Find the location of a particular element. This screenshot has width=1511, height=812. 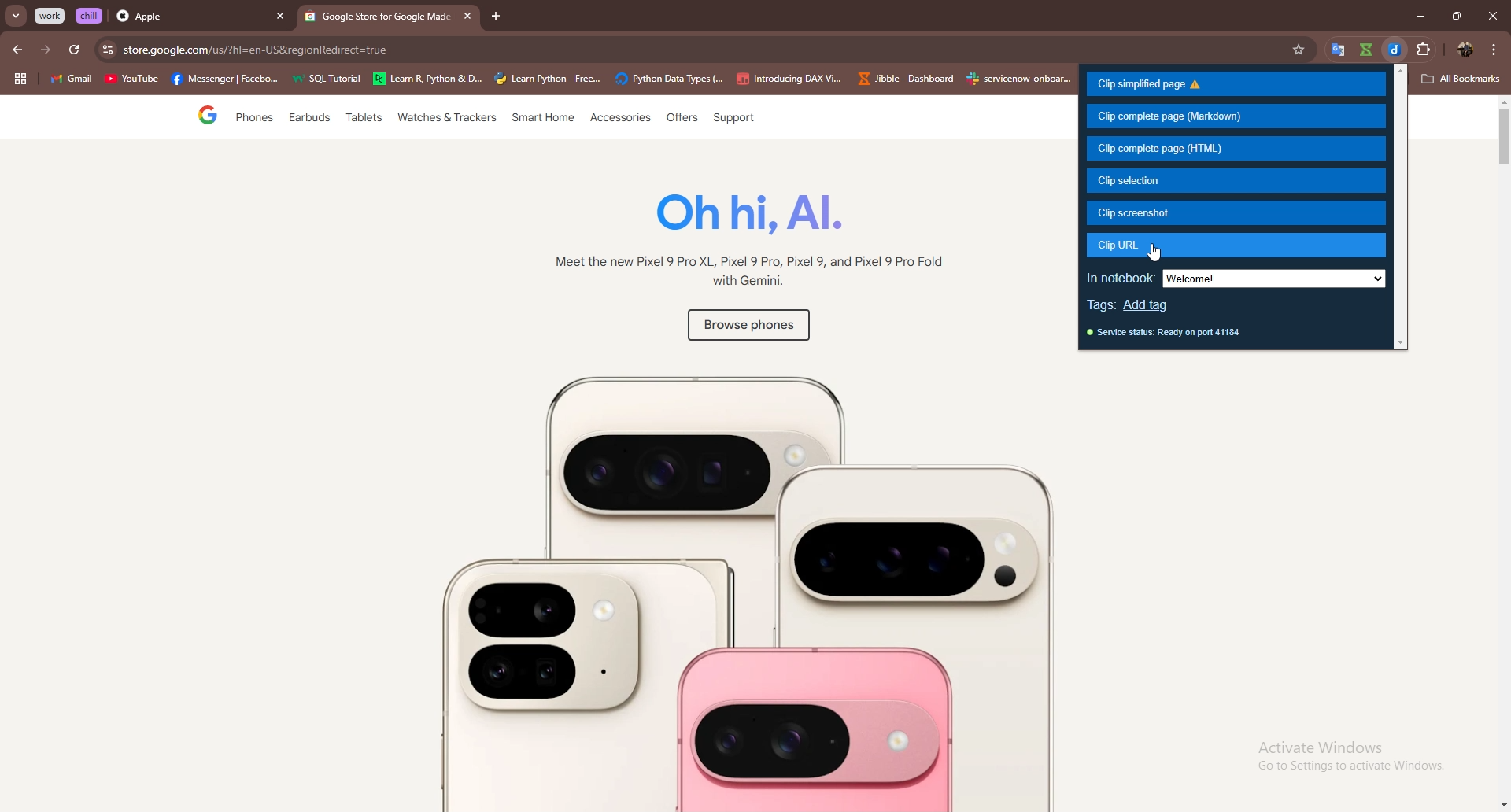

back is located at coordinates (19, 50).